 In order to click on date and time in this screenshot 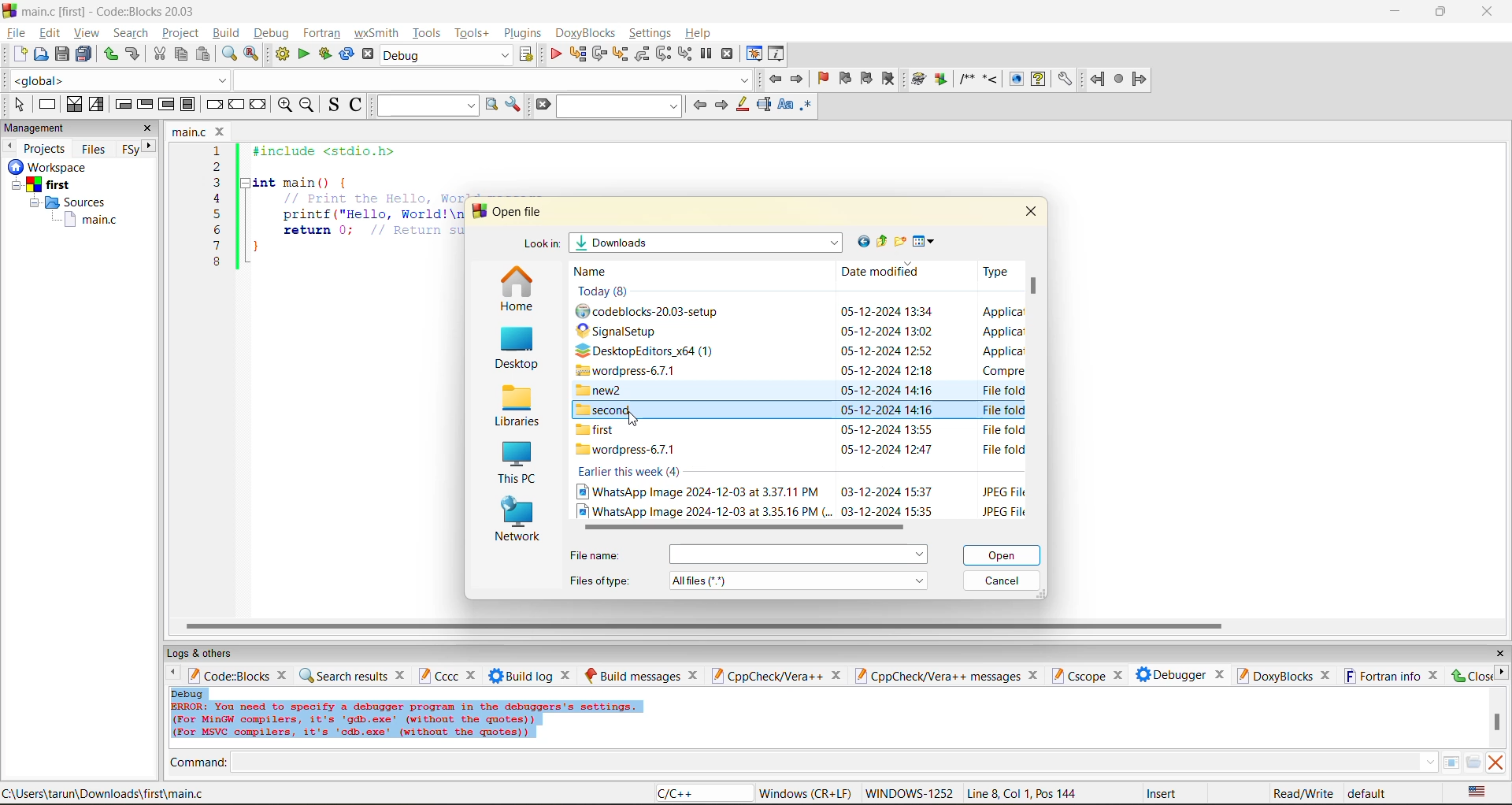, I will do `click(886, 430)`.